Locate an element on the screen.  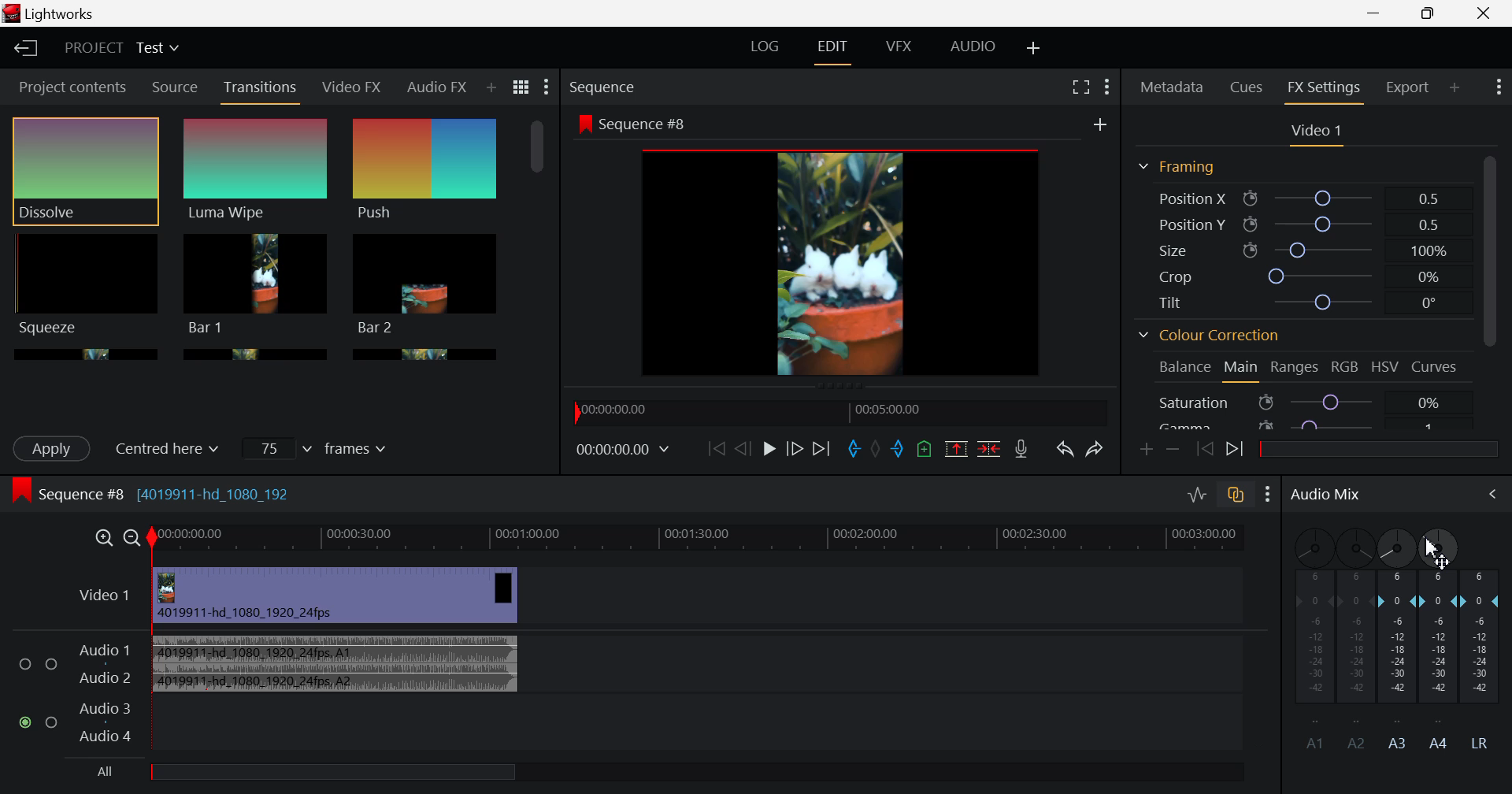
Position X is located at coordinates (1301, 198).